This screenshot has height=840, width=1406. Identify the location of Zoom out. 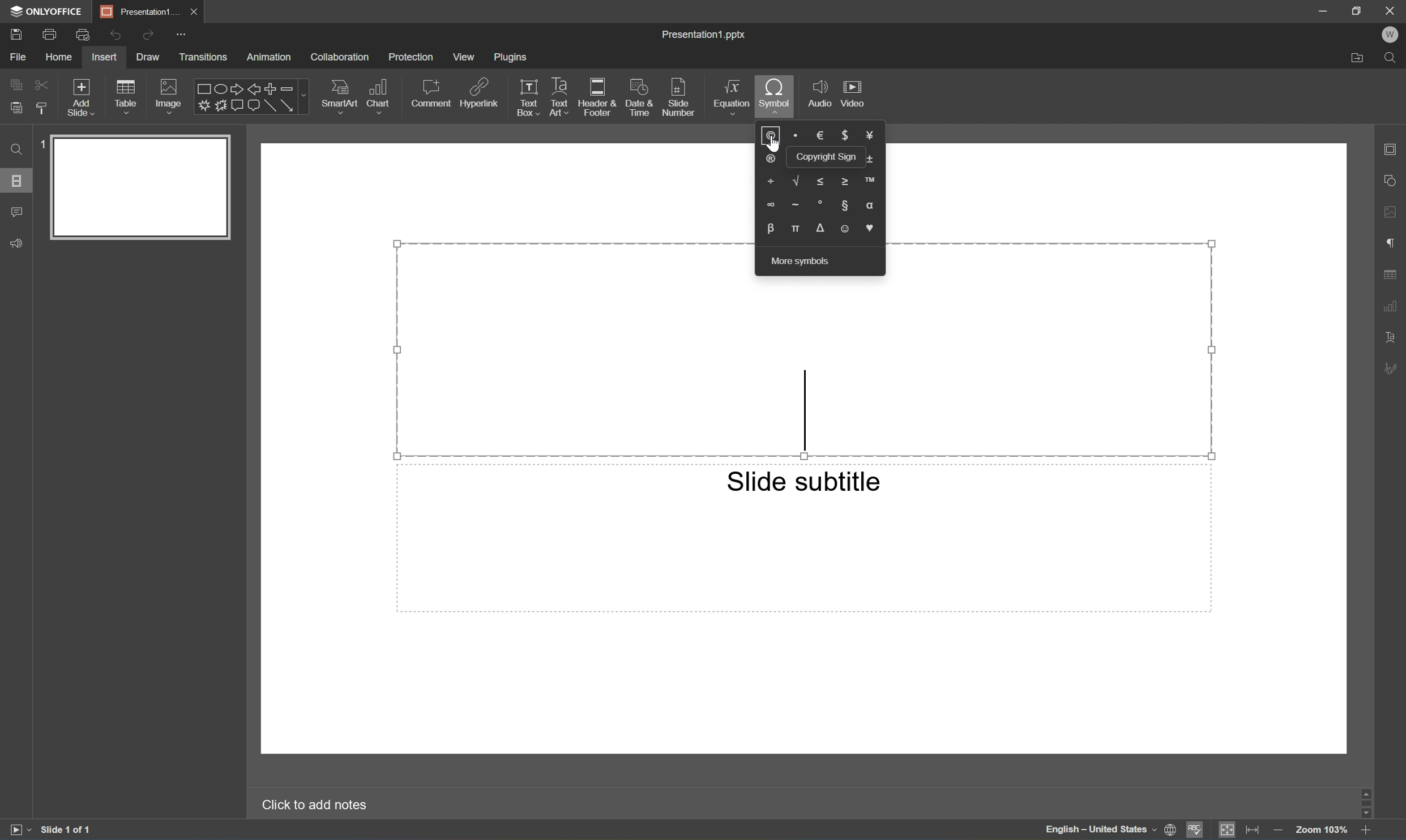
(1277, 833).